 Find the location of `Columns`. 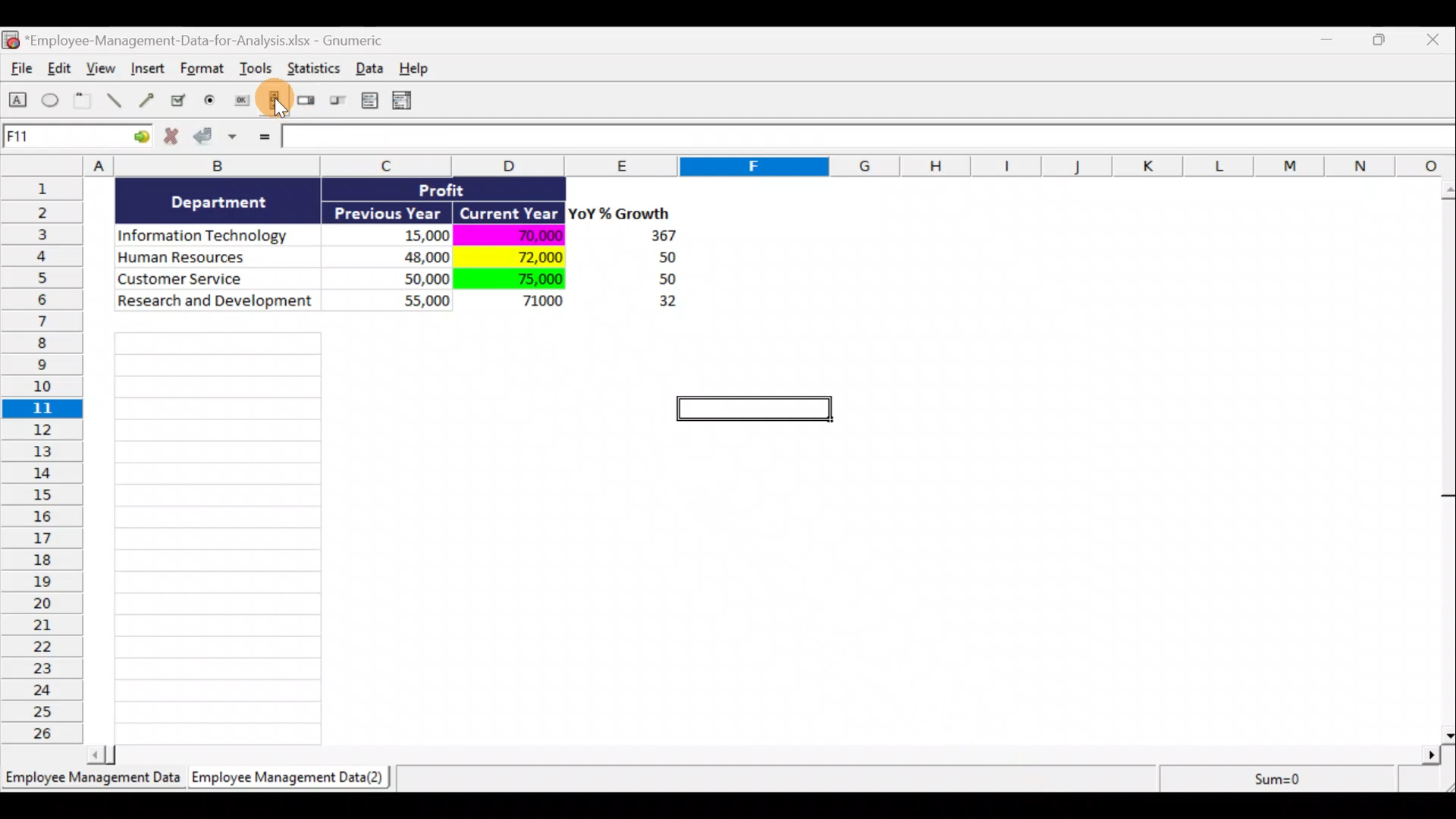

Columns is located at coordinates (733, 165).